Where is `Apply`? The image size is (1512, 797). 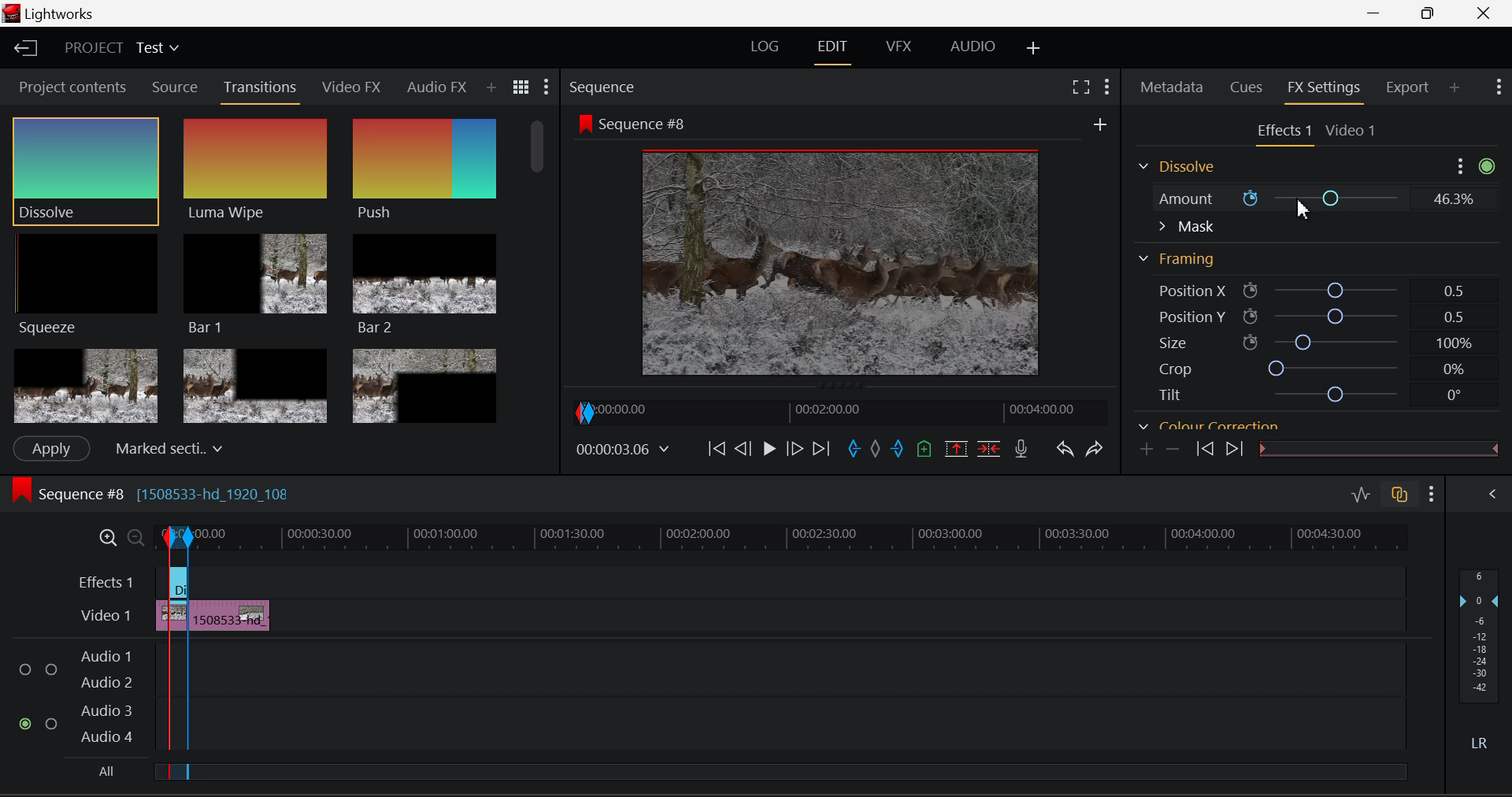
Apply is located at coordinates (52, 449).